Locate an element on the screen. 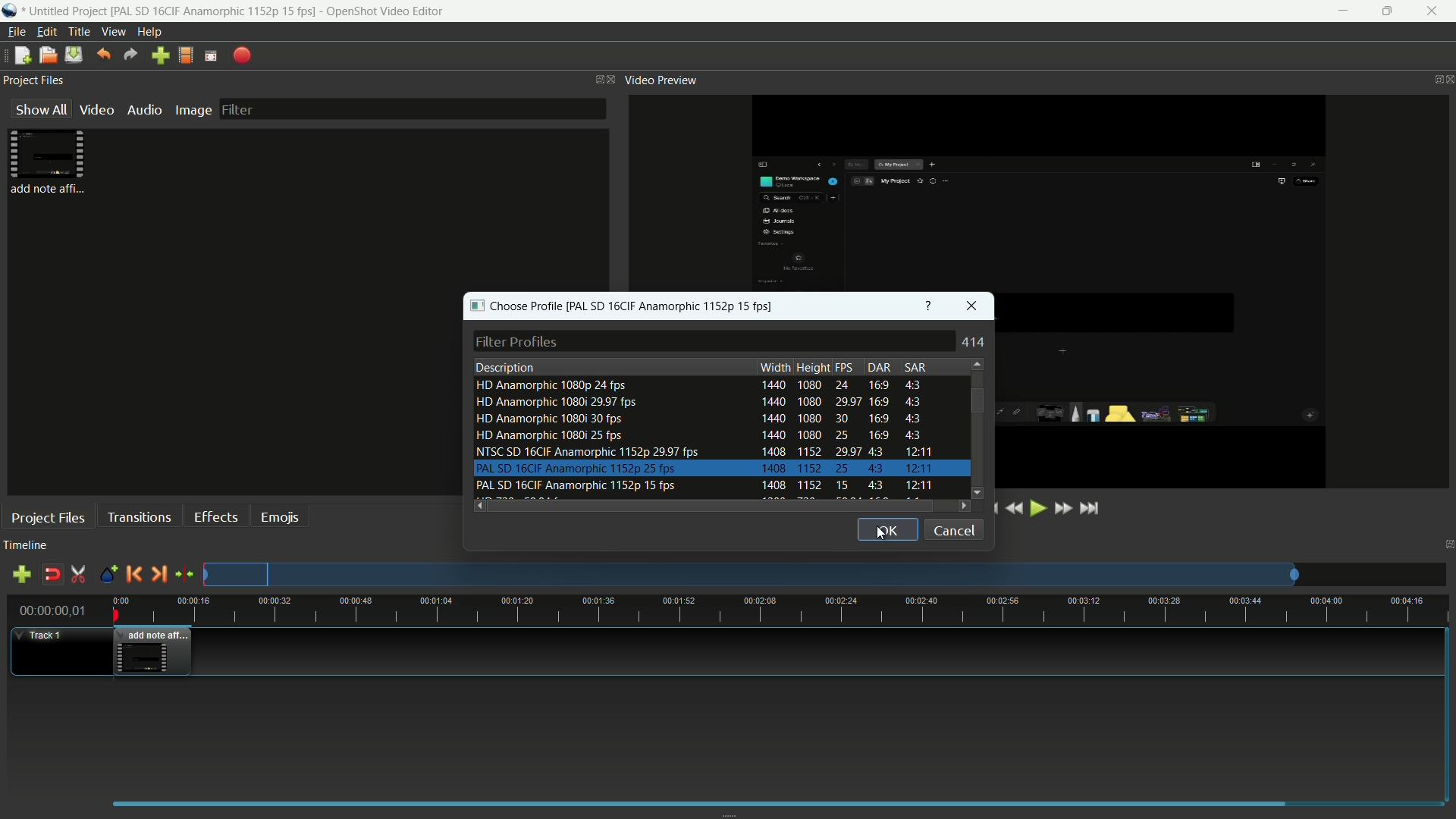 This screenshot has height=819, width=1456. file menu is located at coordinates (14, 33).